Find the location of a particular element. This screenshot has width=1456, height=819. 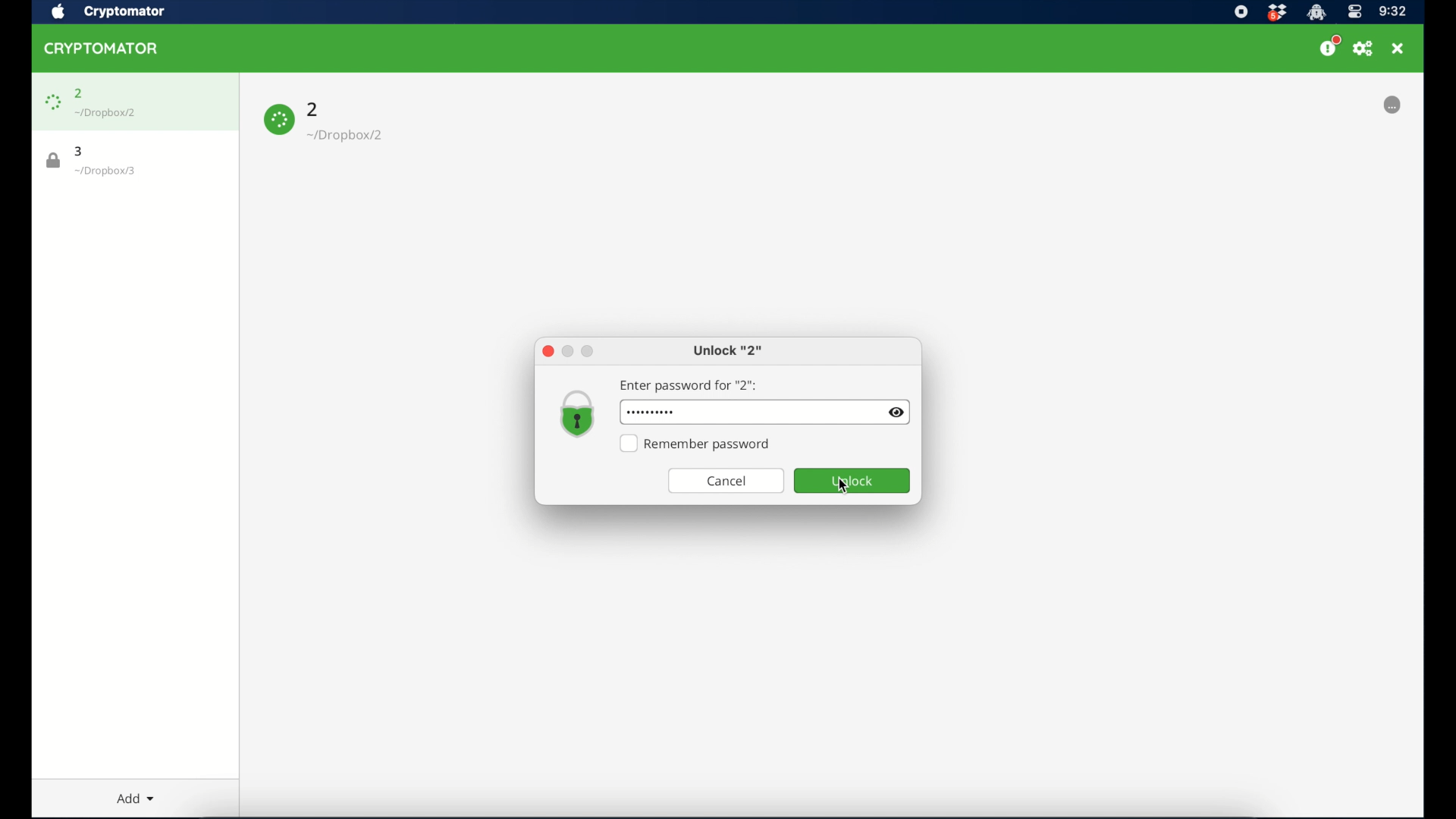

support us is located at coordinates (1330, 47).